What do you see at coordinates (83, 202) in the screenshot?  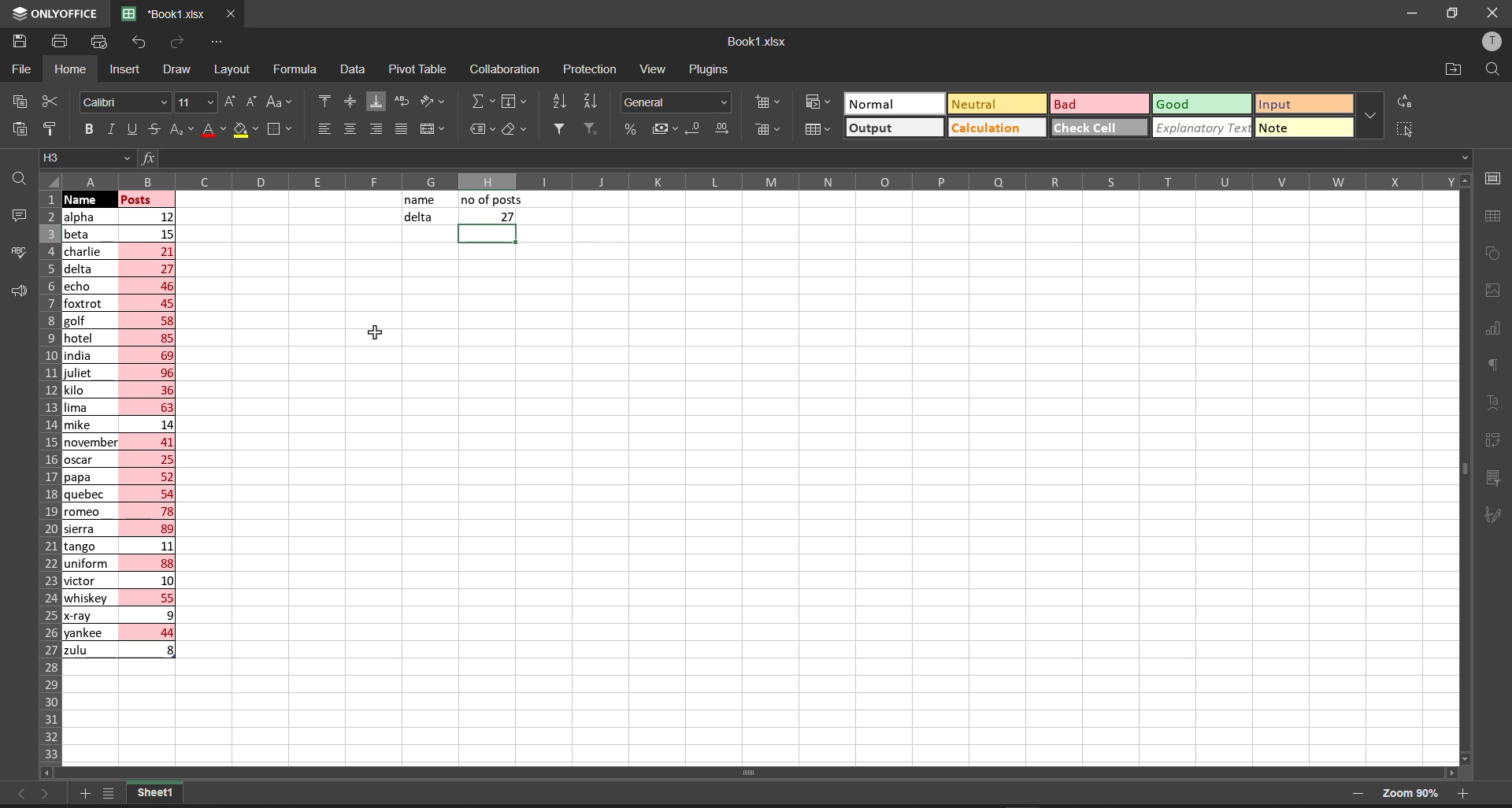 I see `cursor` at bounding box center [83, 202].